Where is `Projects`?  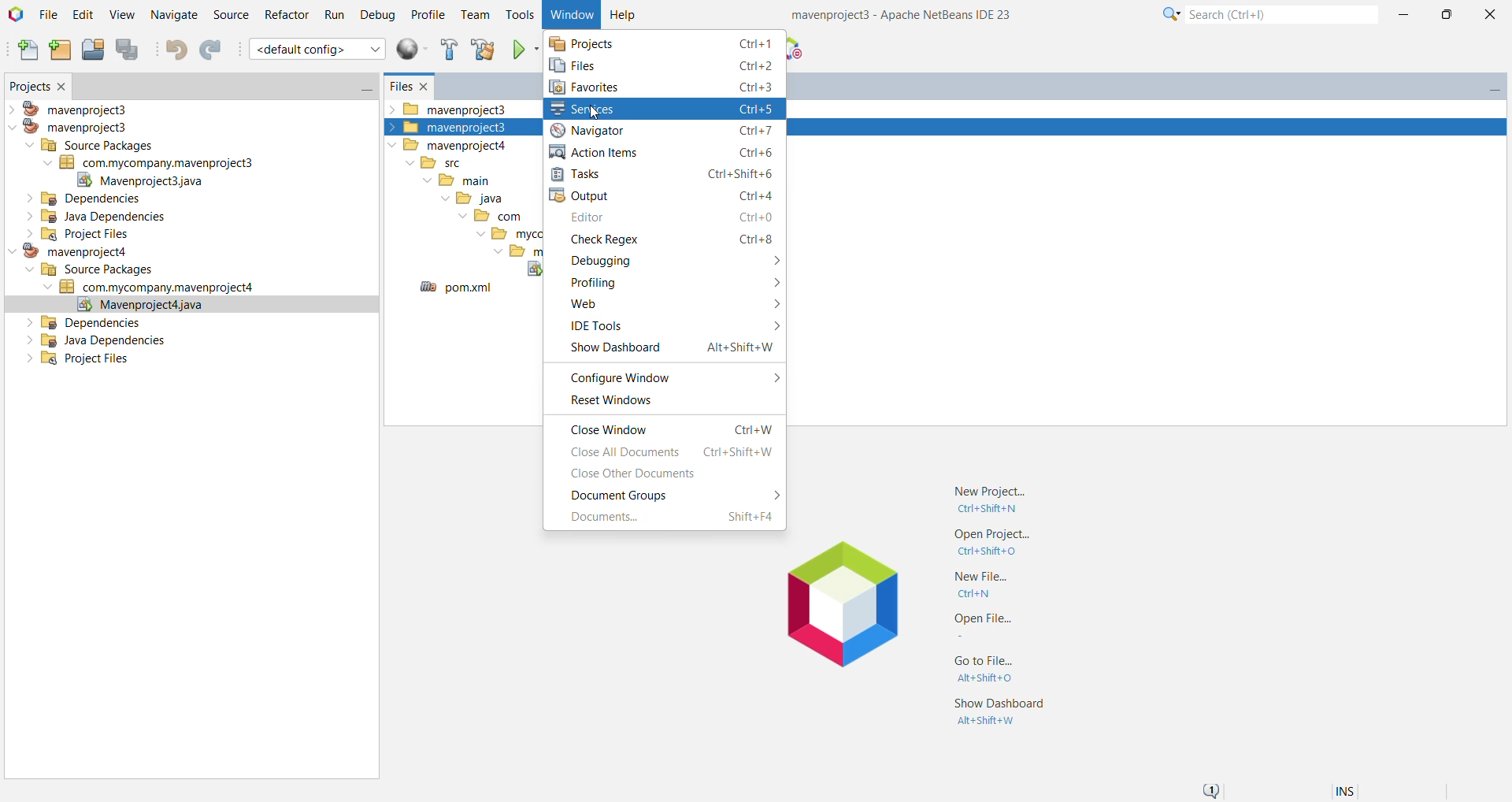 Projects is located at coordinates (664, 43).